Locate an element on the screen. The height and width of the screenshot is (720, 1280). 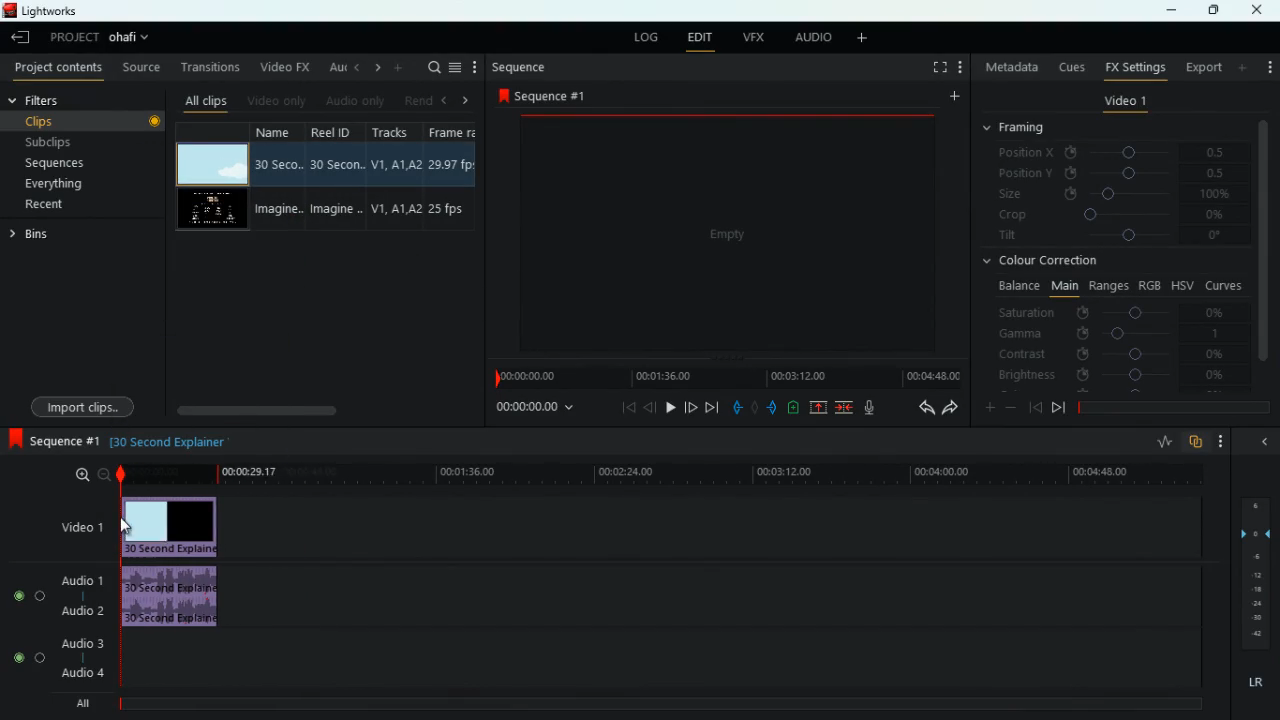
lr is located at coordinates (1253, 683).